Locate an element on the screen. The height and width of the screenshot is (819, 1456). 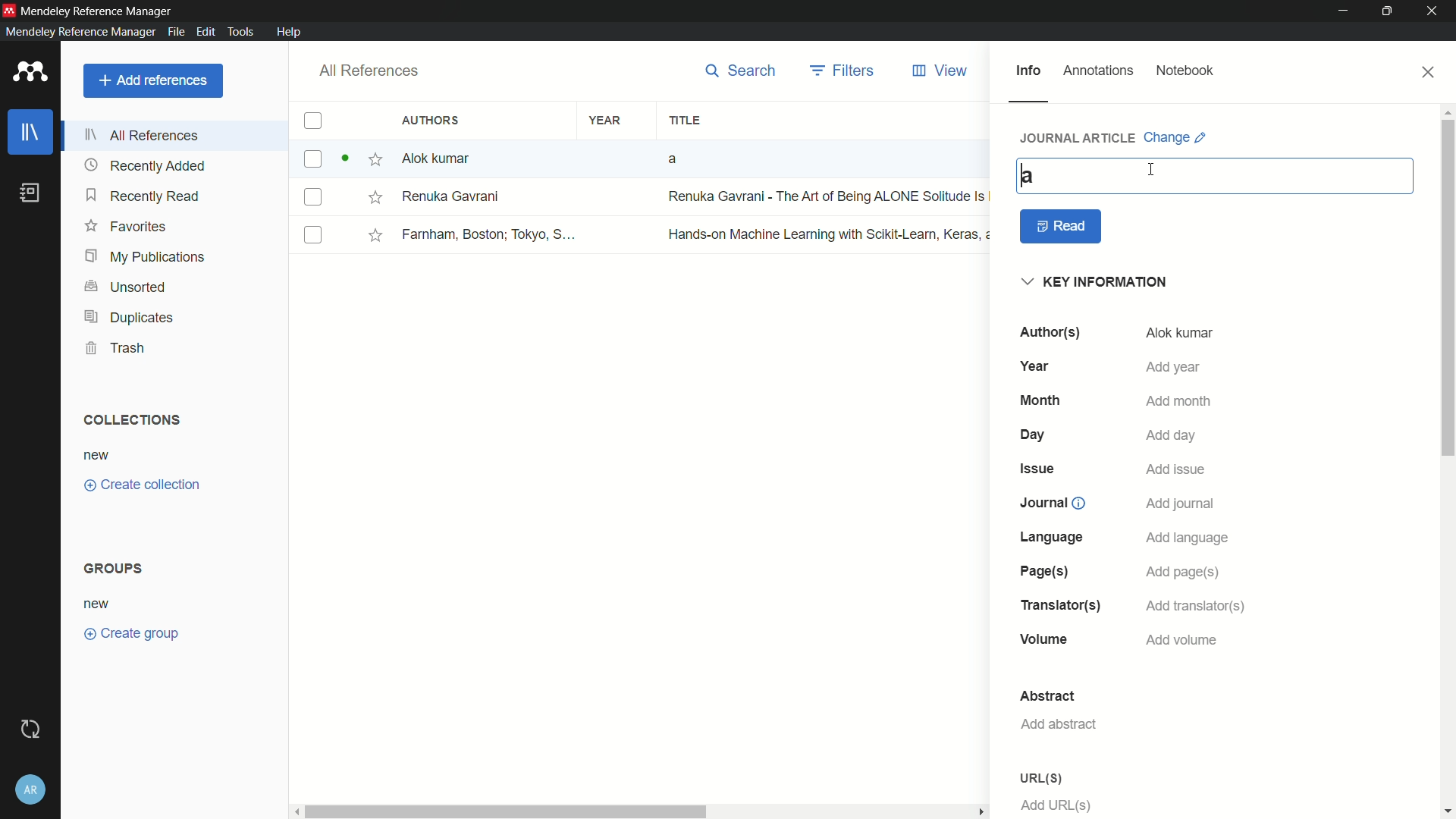
read is located at coordinates (1062, 227).